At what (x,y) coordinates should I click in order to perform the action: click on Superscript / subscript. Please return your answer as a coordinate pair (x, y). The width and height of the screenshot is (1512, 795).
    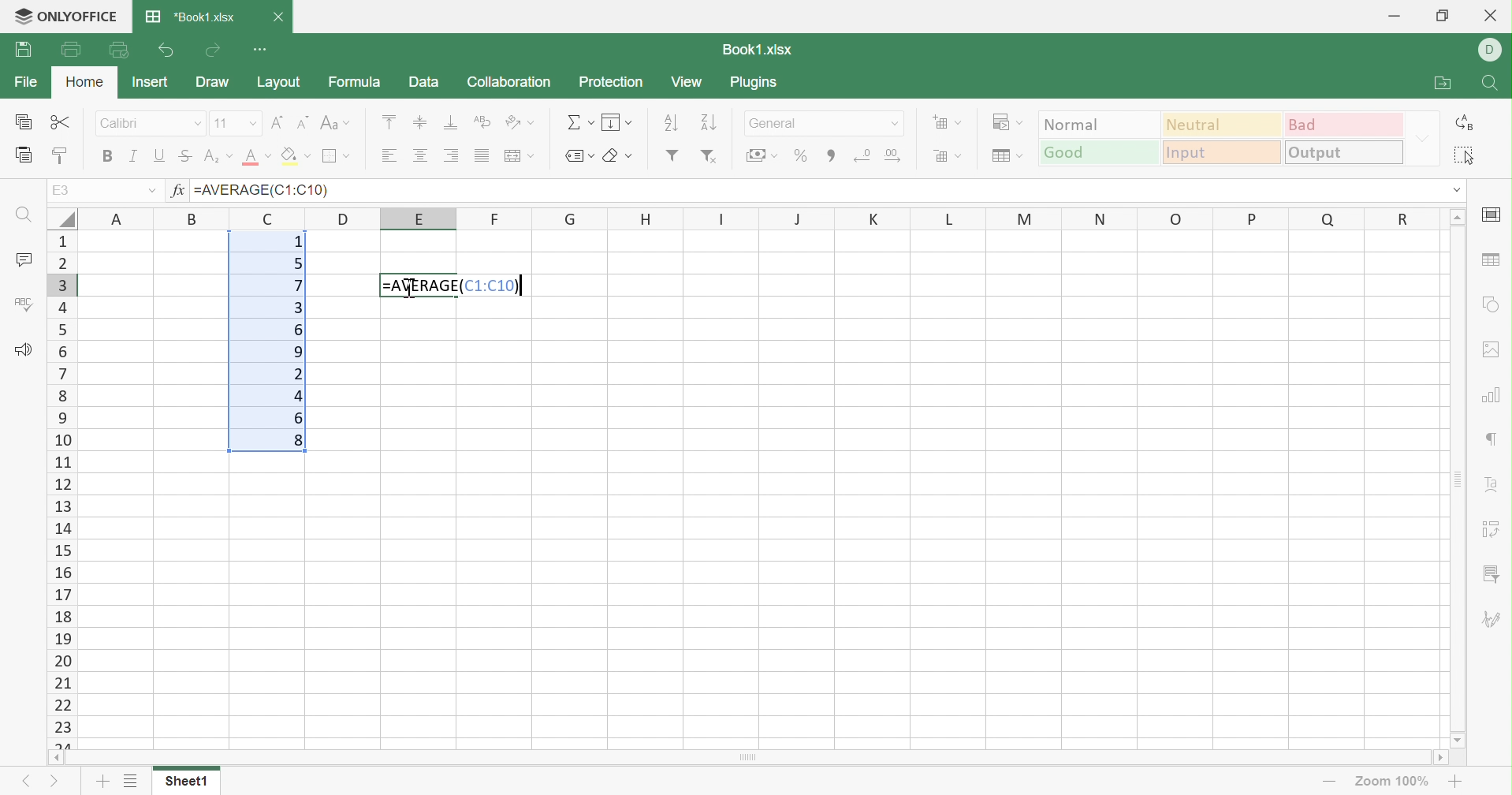
    Looking at the image, I should click on (221, 155).